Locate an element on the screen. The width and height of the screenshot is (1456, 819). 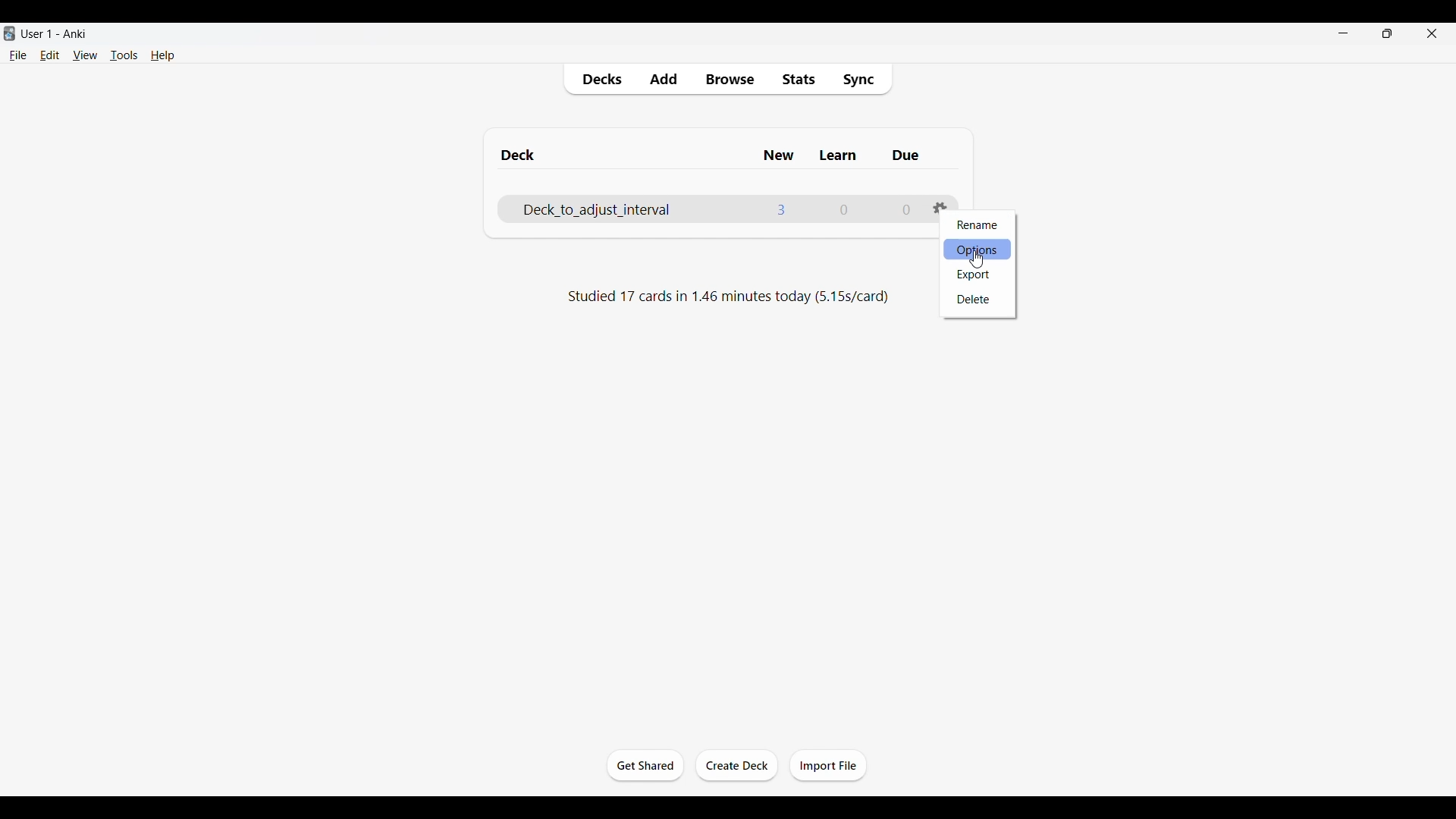
Deck column is located at coordinates (622, 157).